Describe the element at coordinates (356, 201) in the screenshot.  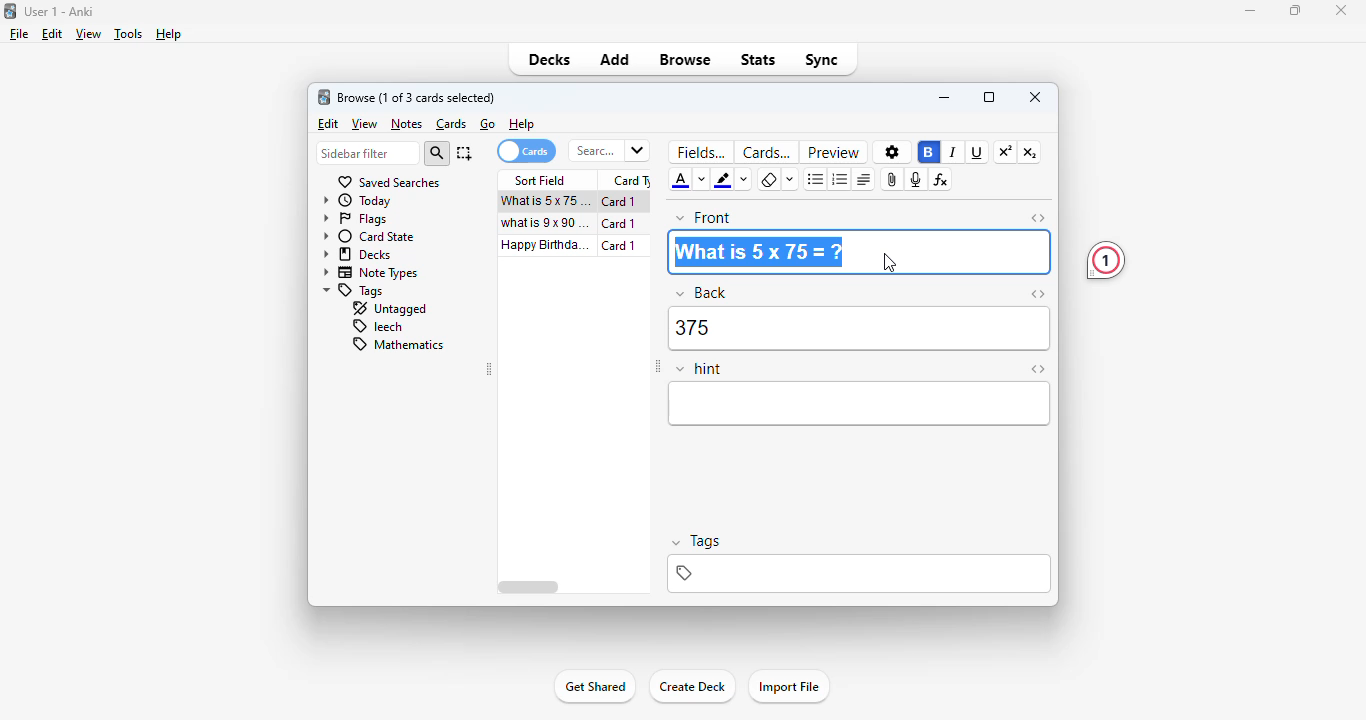
I see `today` at that location.